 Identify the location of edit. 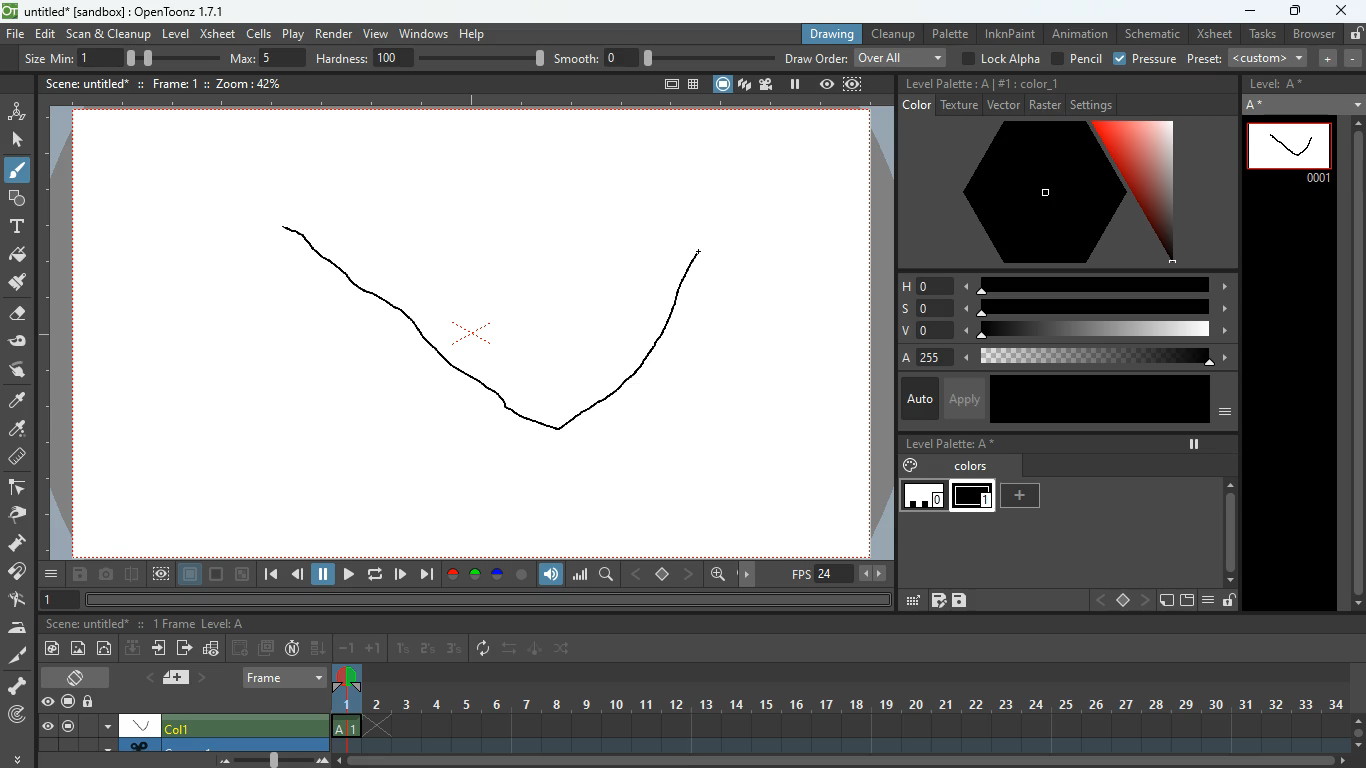
(46, 34).